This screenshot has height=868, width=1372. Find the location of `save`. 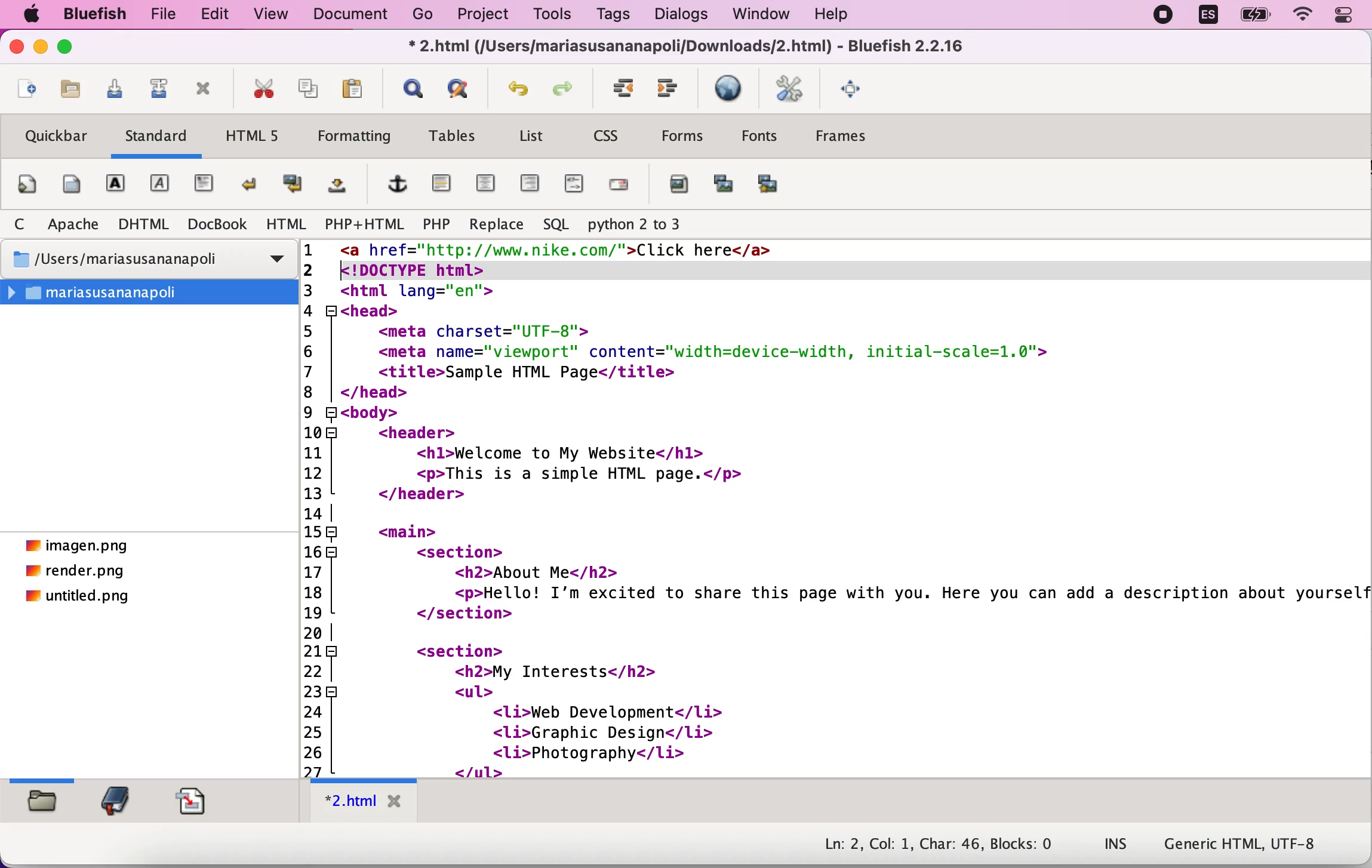

save is located at coordinates (118, 90).